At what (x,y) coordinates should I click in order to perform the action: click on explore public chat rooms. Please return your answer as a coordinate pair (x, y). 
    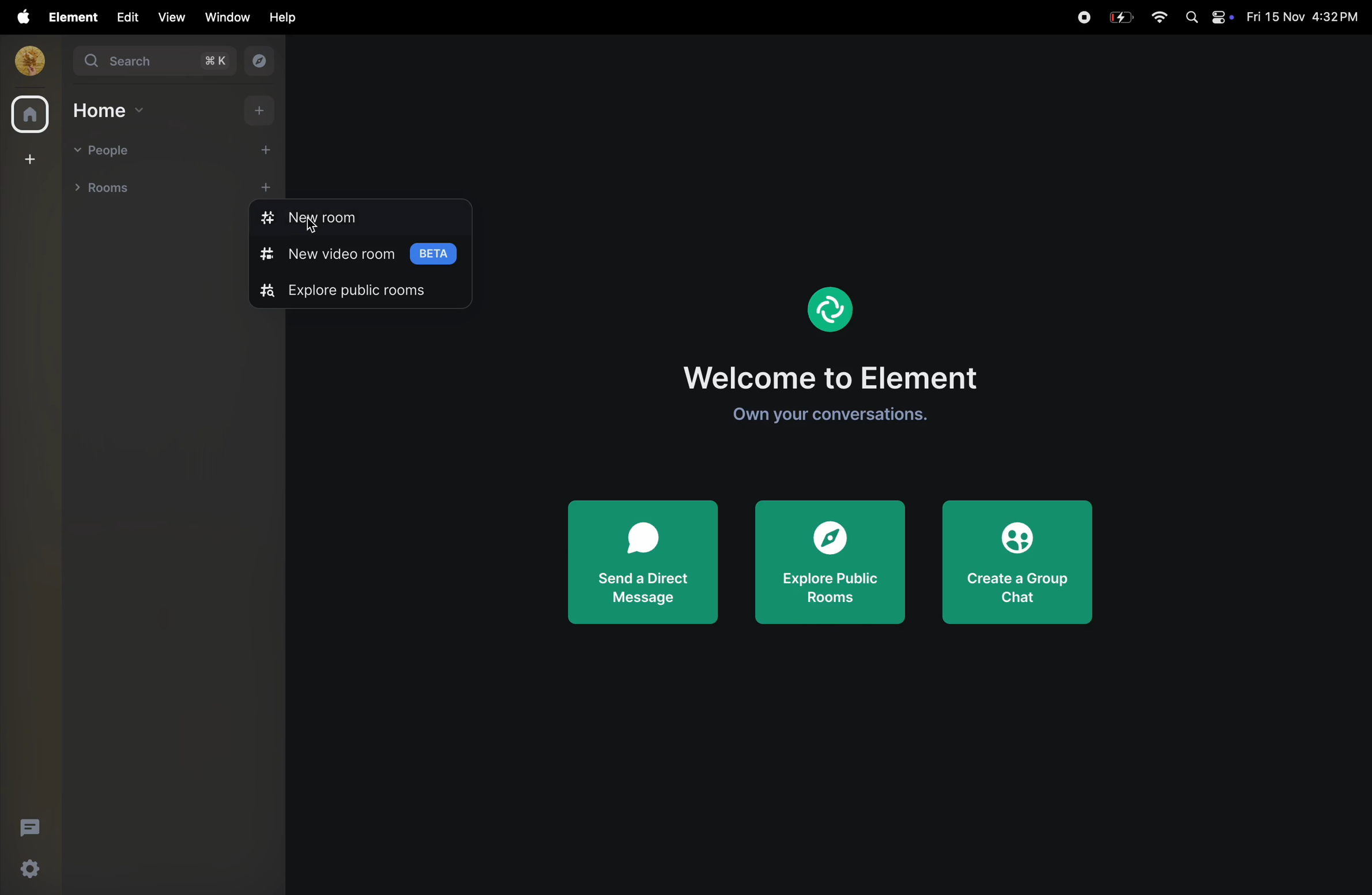
    Looking at the image, I should click on (832, 563).